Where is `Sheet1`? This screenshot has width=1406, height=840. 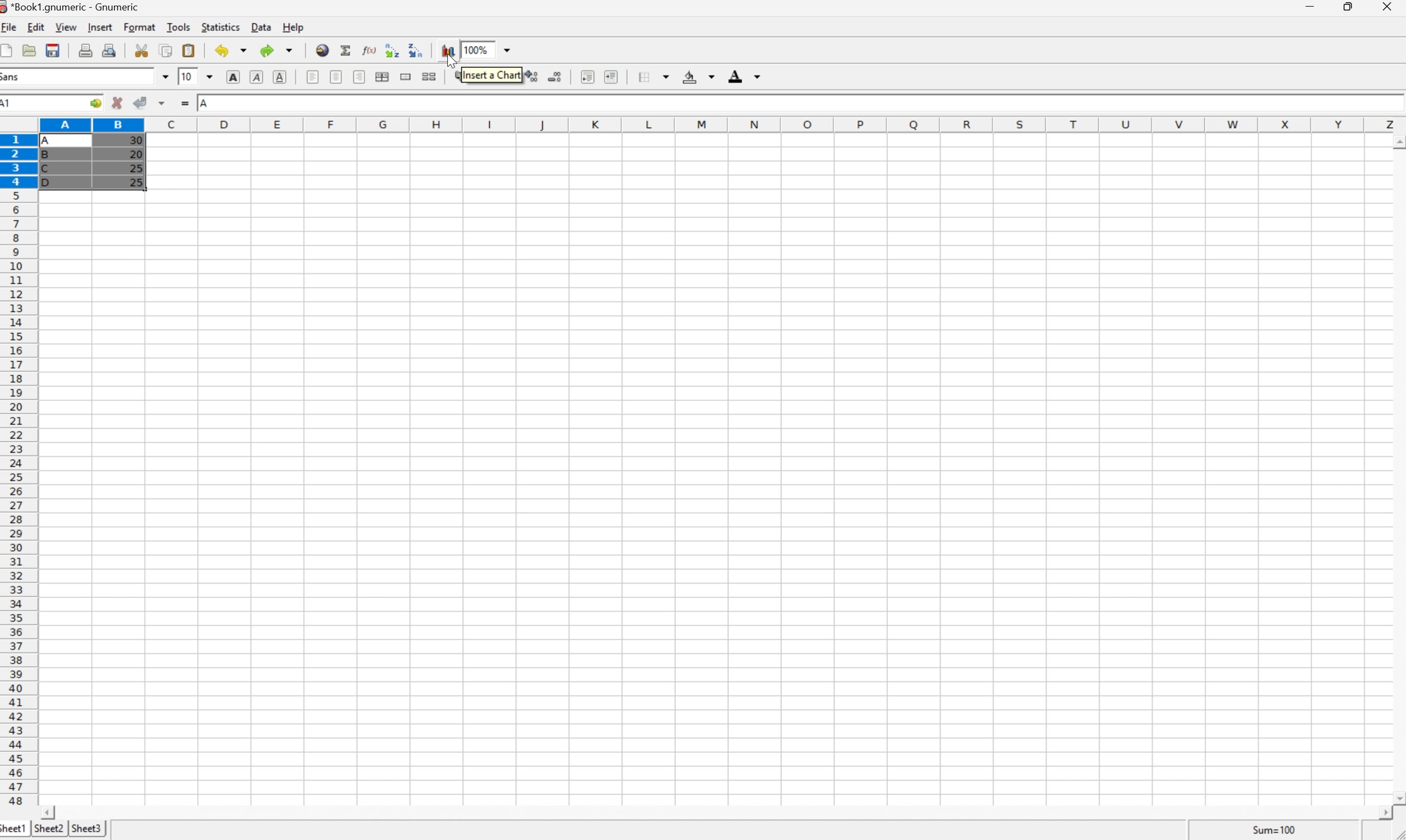 Sheet1 is located at coordinates (14, 830).